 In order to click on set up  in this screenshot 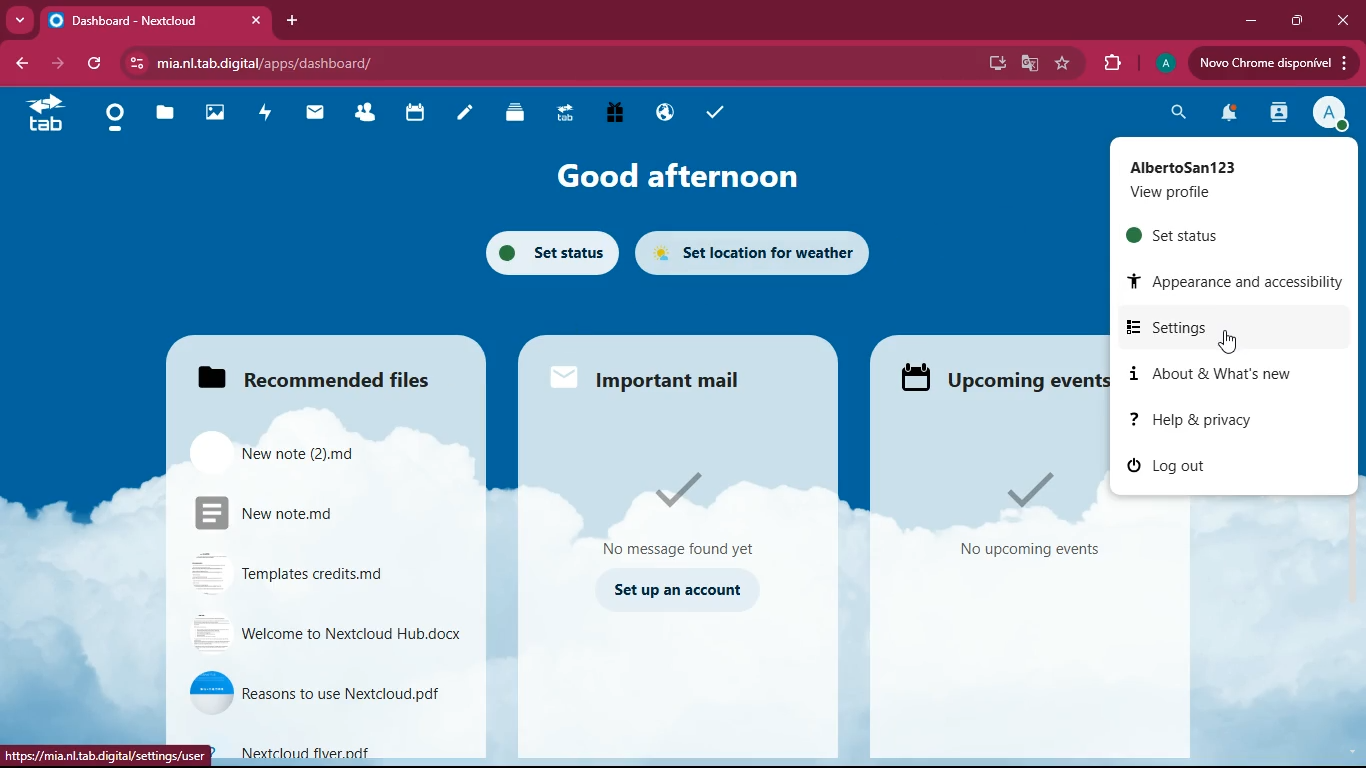, I will do `click(686, 590)`.